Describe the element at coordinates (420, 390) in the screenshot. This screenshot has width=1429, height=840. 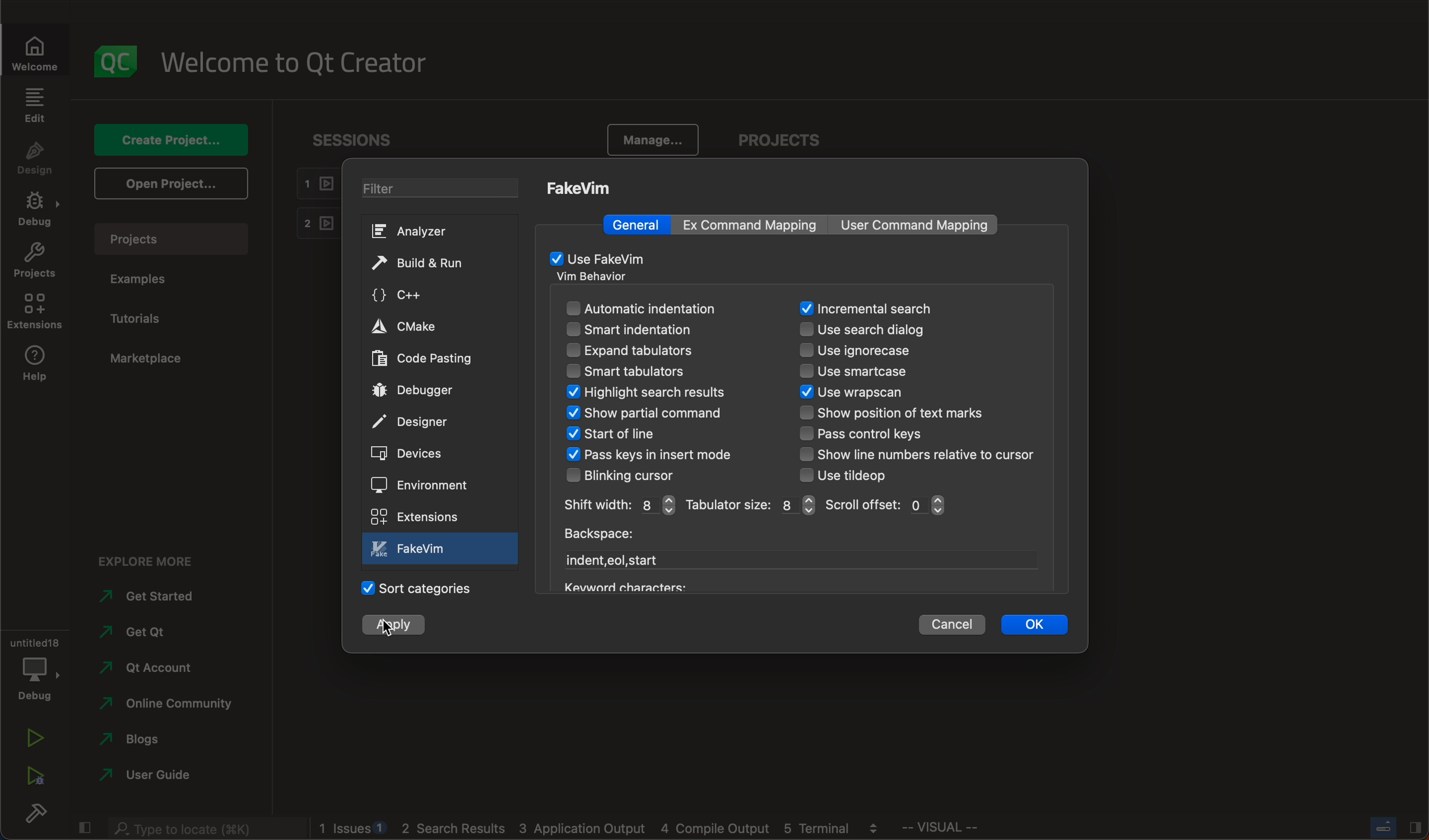
I see `debugger` at that location.